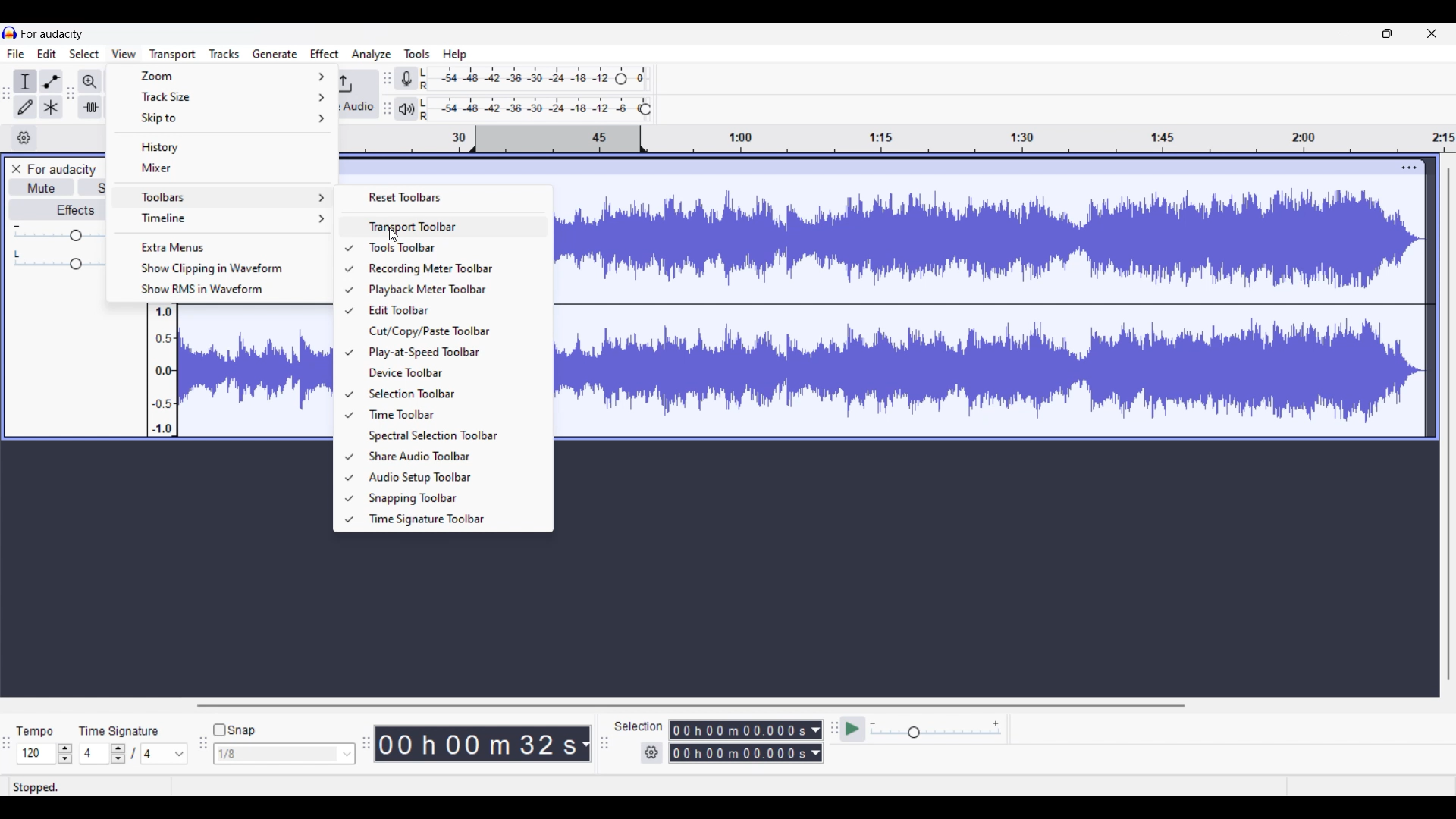 This screenshot has width=1456, height=819. I want to click on Select menu, so click(84, 54).